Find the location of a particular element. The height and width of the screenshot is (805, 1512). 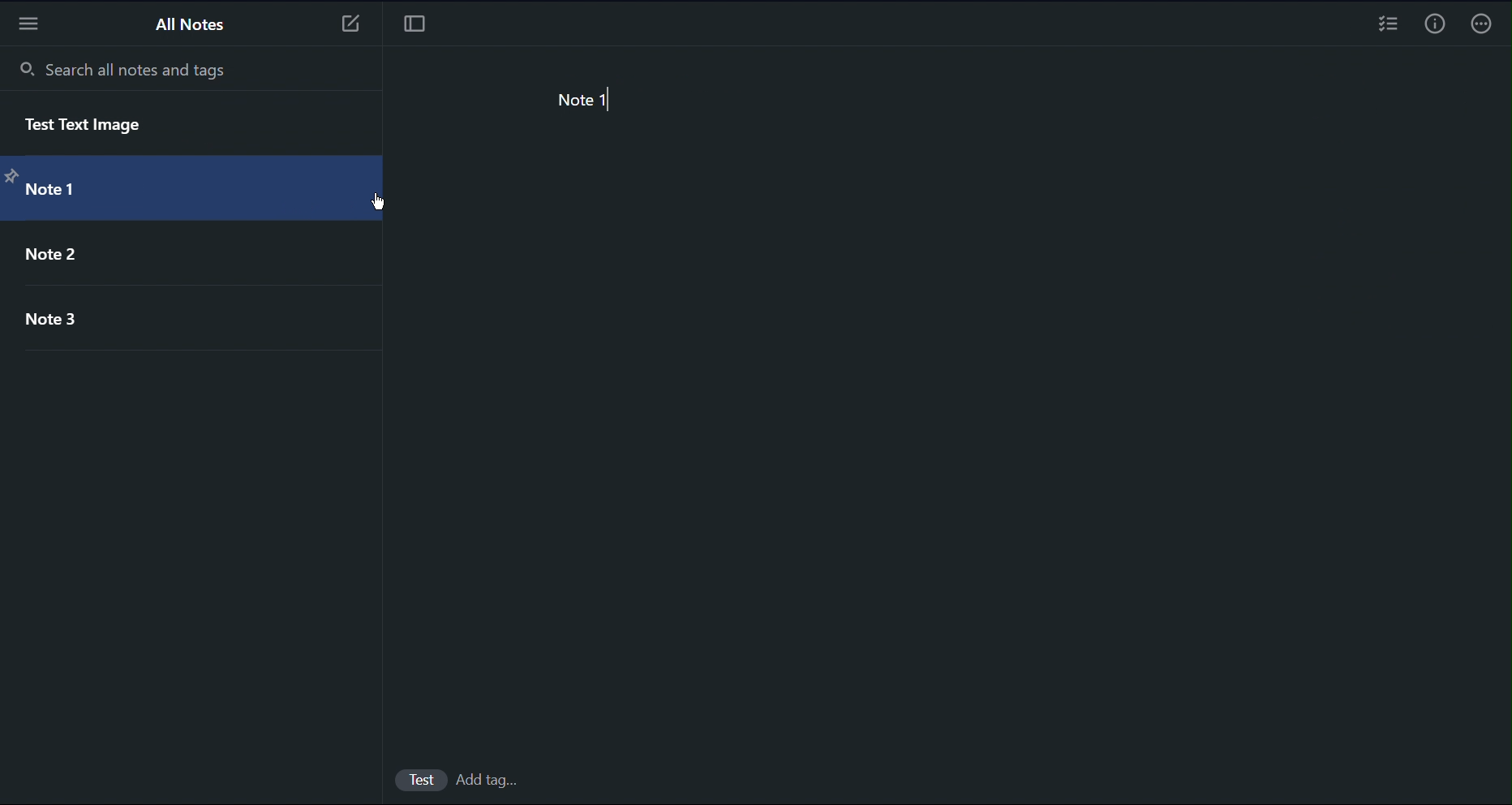

cursor is located at coordinates (382, 204).